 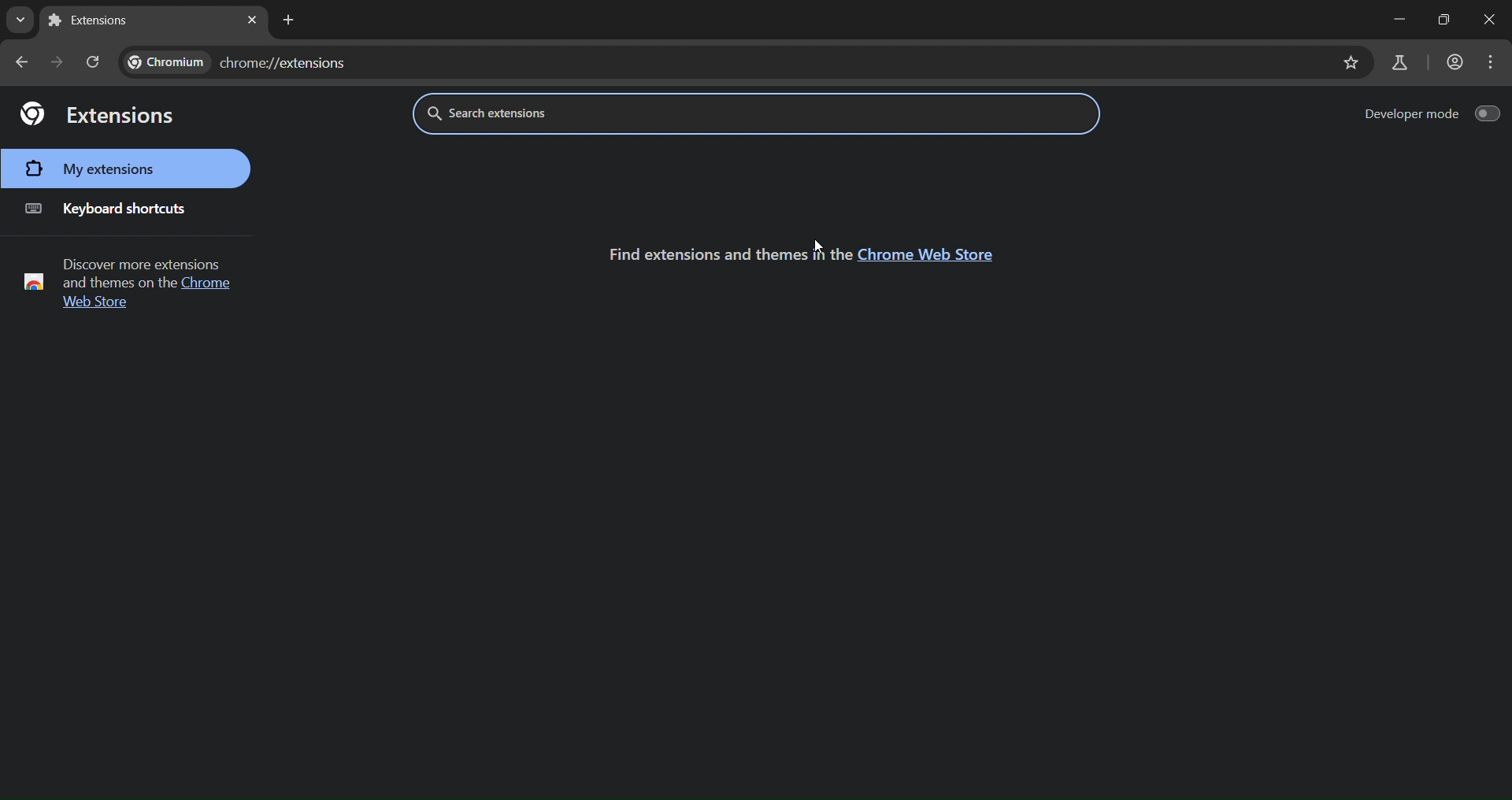 I want to click on account, so click(x=1455, y=60).